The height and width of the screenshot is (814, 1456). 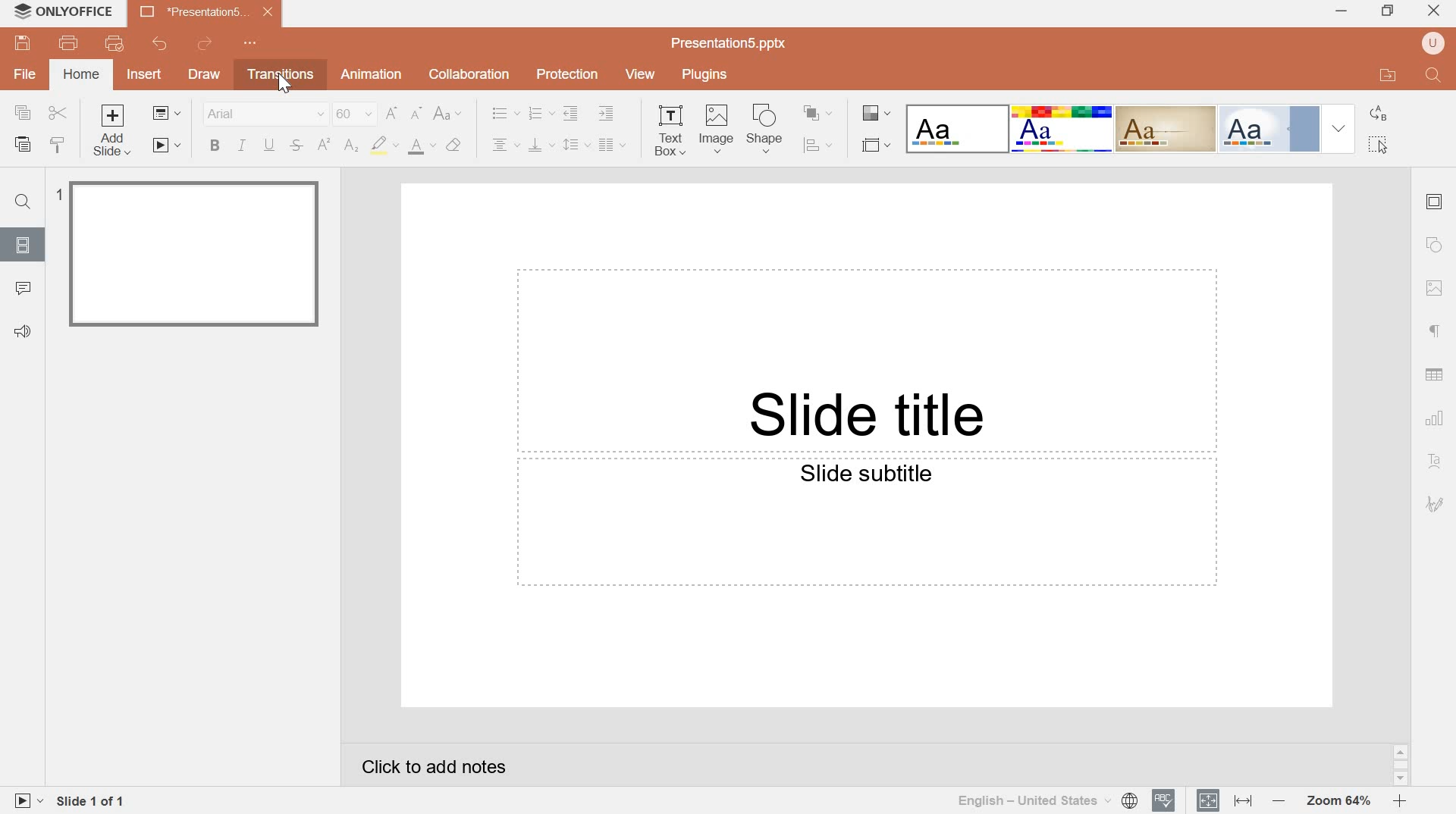 What do you see at coordinates (26, 800) in the screenshot?
I see `start slideshow` at bounding box center [26, 800].